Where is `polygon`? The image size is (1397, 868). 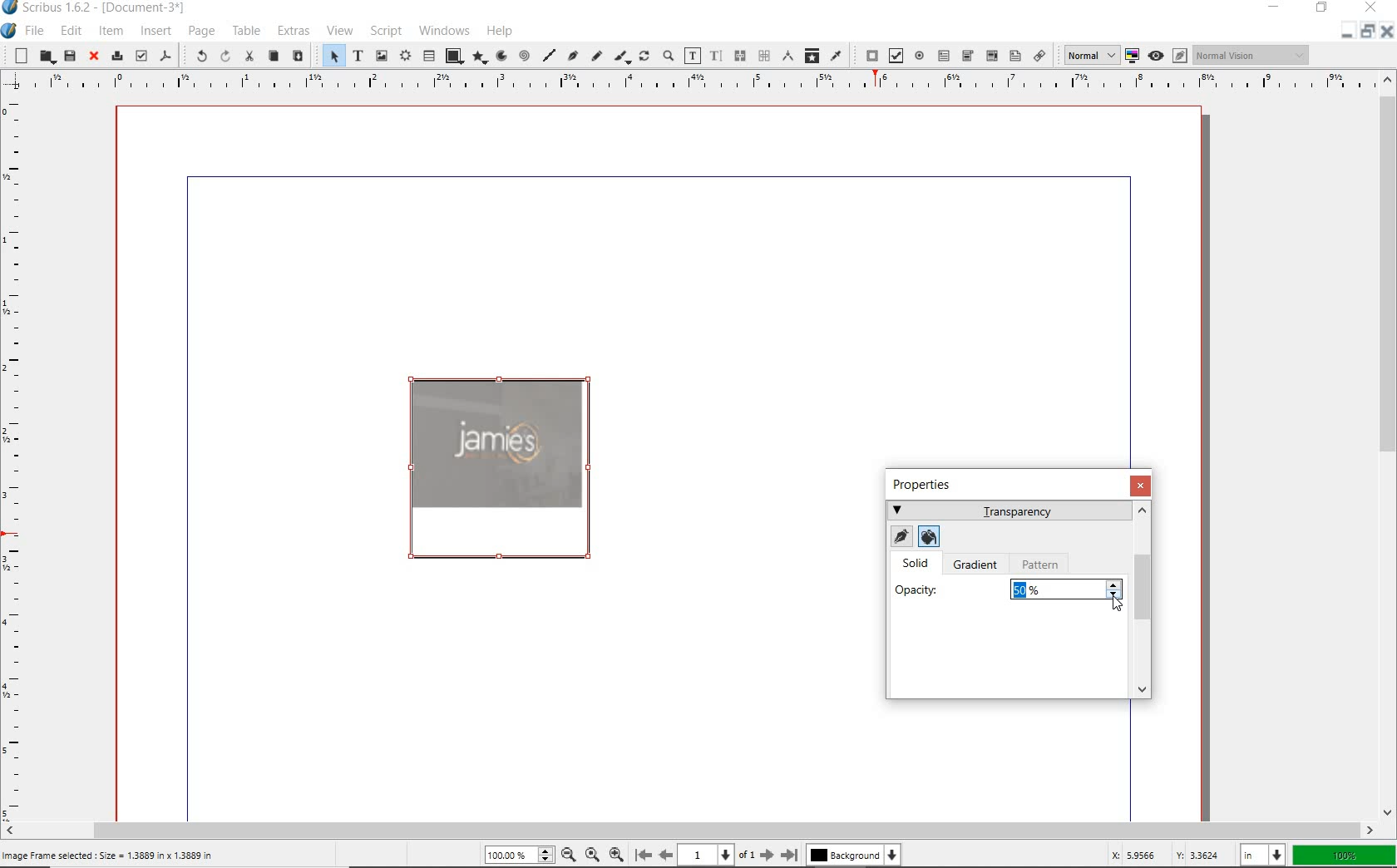 polygon is located at coordinates (480, 57).